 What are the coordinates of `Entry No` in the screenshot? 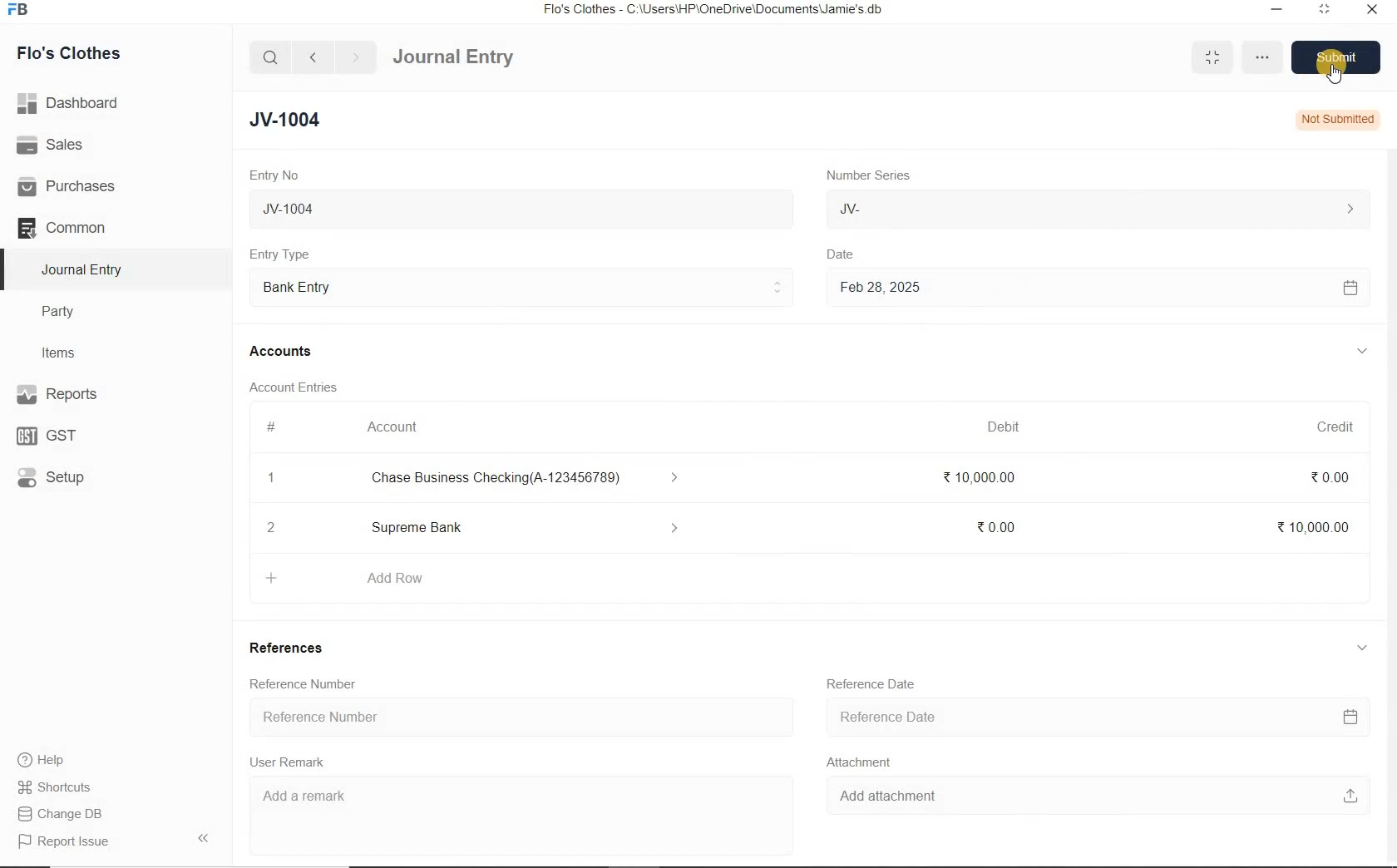 It's located at (277, 175).